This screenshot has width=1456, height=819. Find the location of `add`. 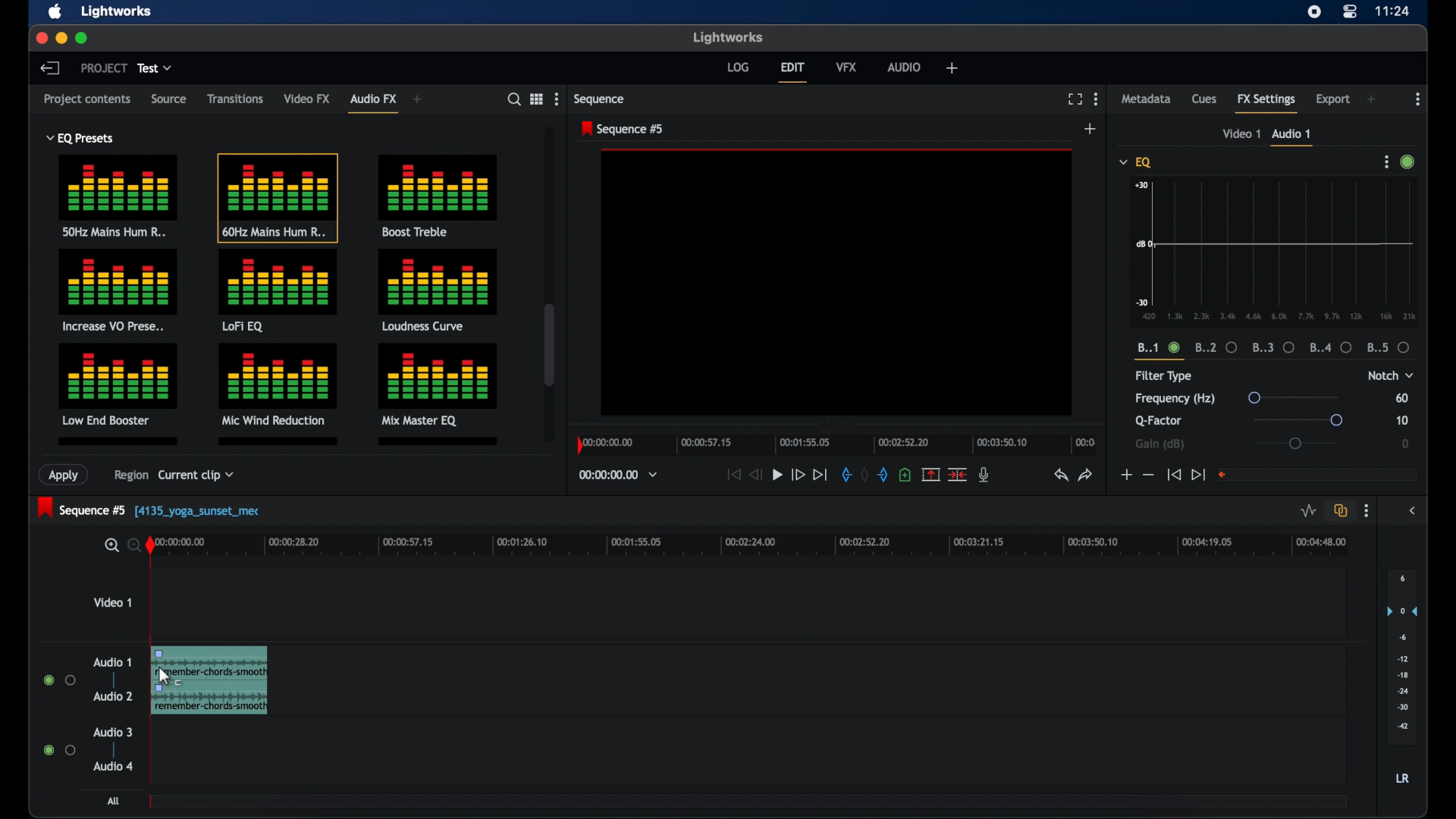

add is located at coordinates (418, 99).